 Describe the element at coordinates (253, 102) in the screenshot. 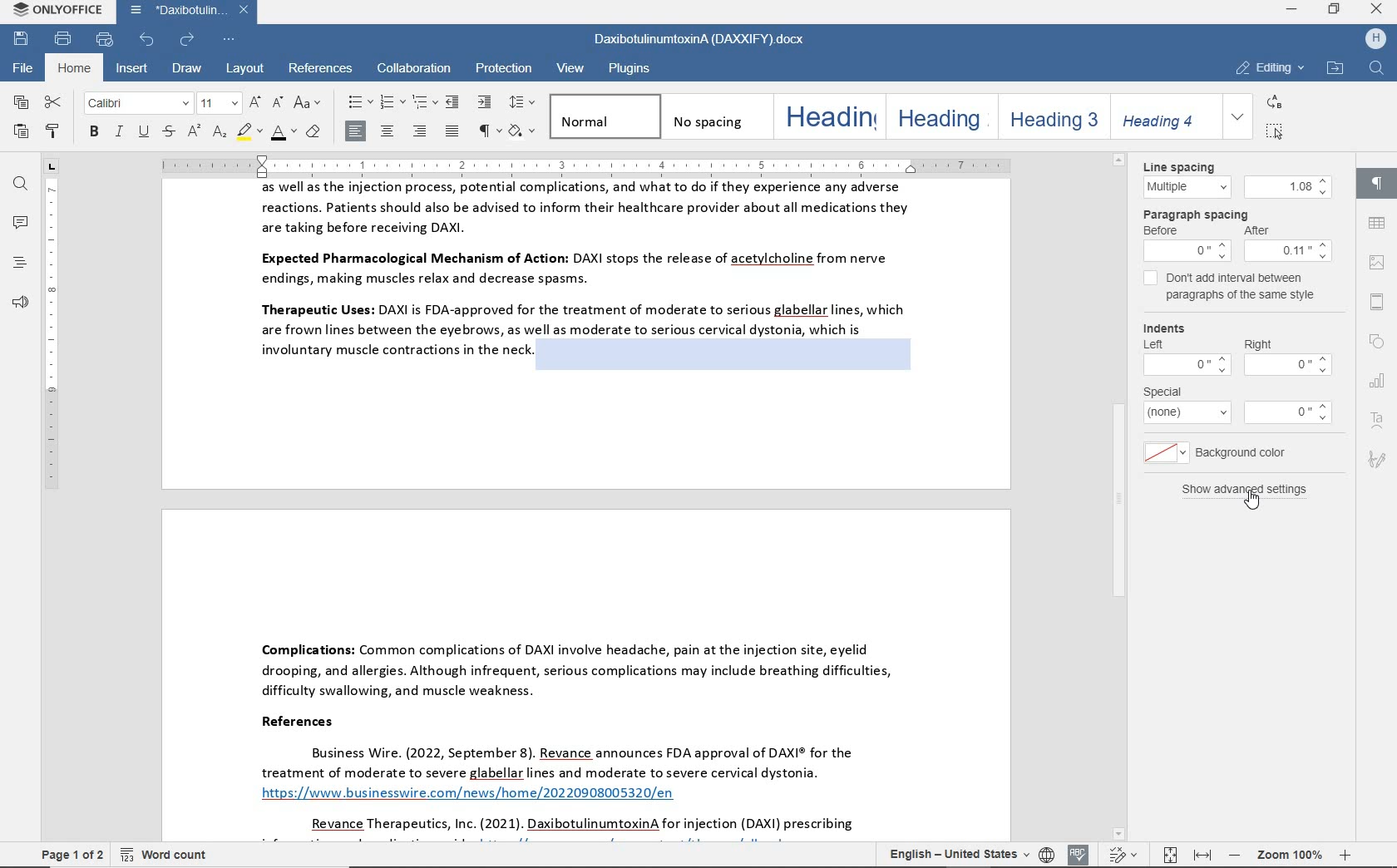

I see `increment font size` at that location.